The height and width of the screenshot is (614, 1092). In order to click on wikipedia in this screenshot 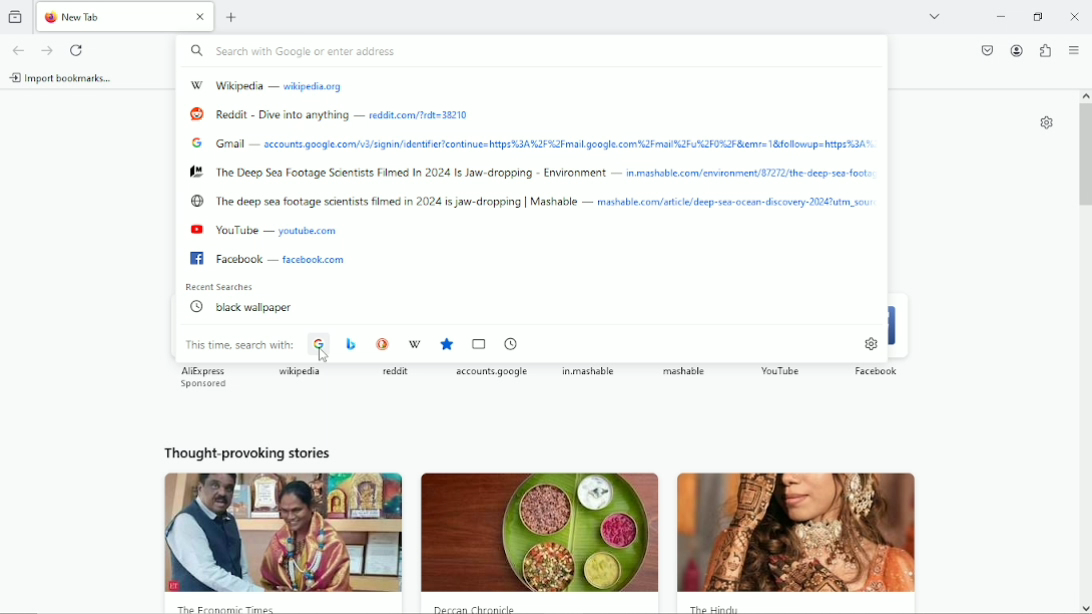, I will do `click(245, 83)`.